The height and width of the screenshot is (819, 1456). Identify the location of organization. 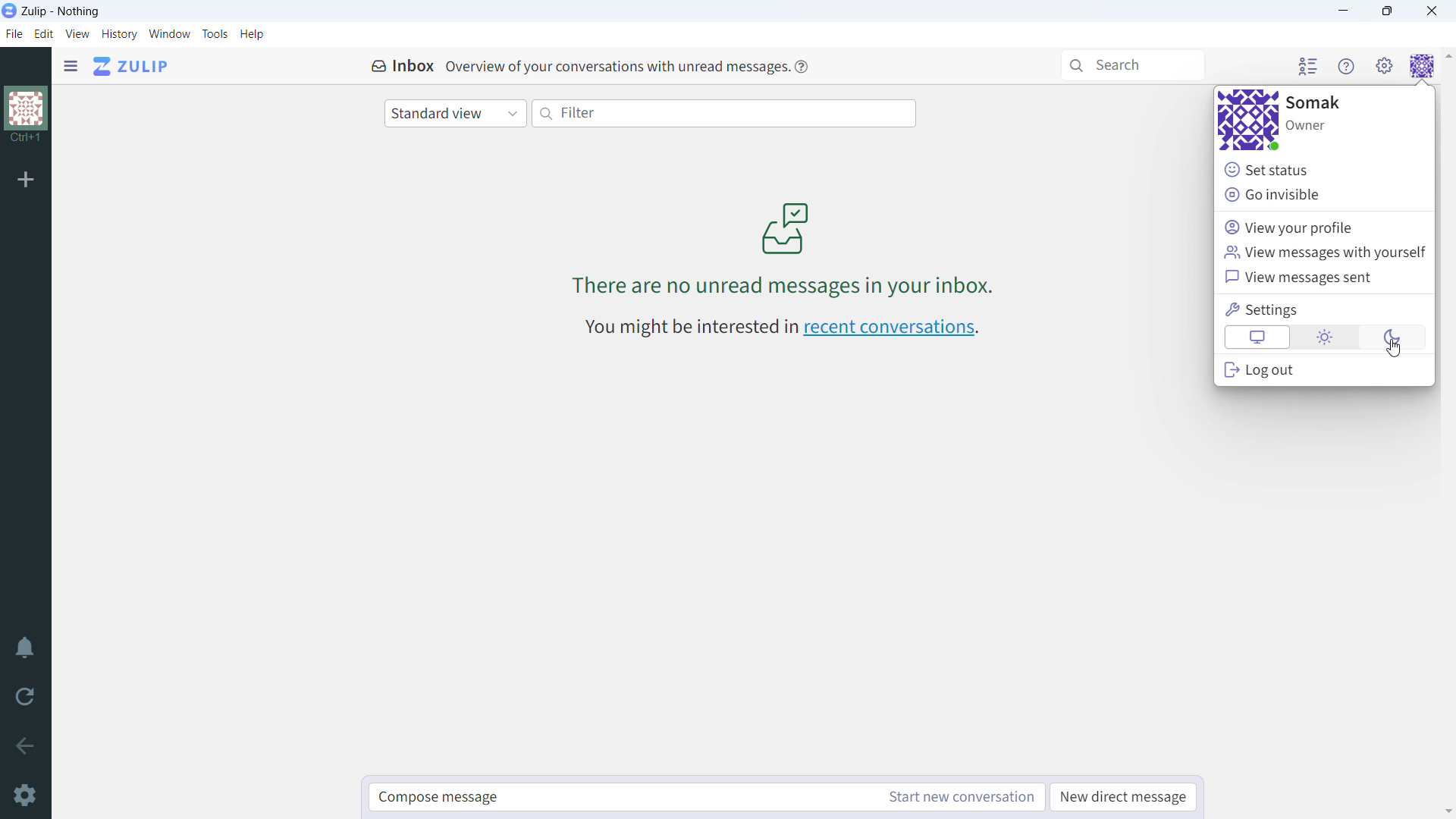
(27, 115).